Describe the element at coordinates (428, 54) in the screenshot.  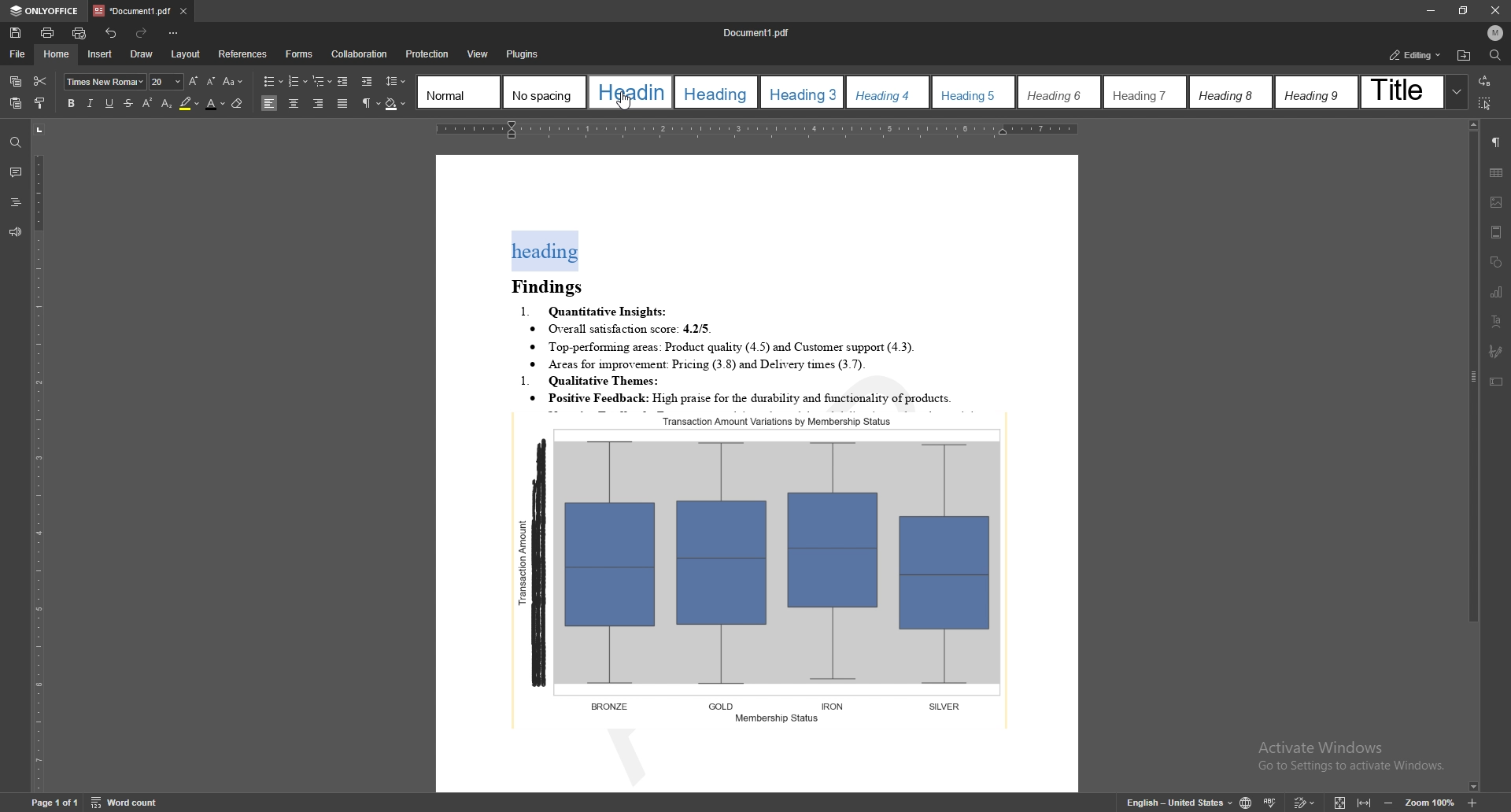
I see `protection` at that location.